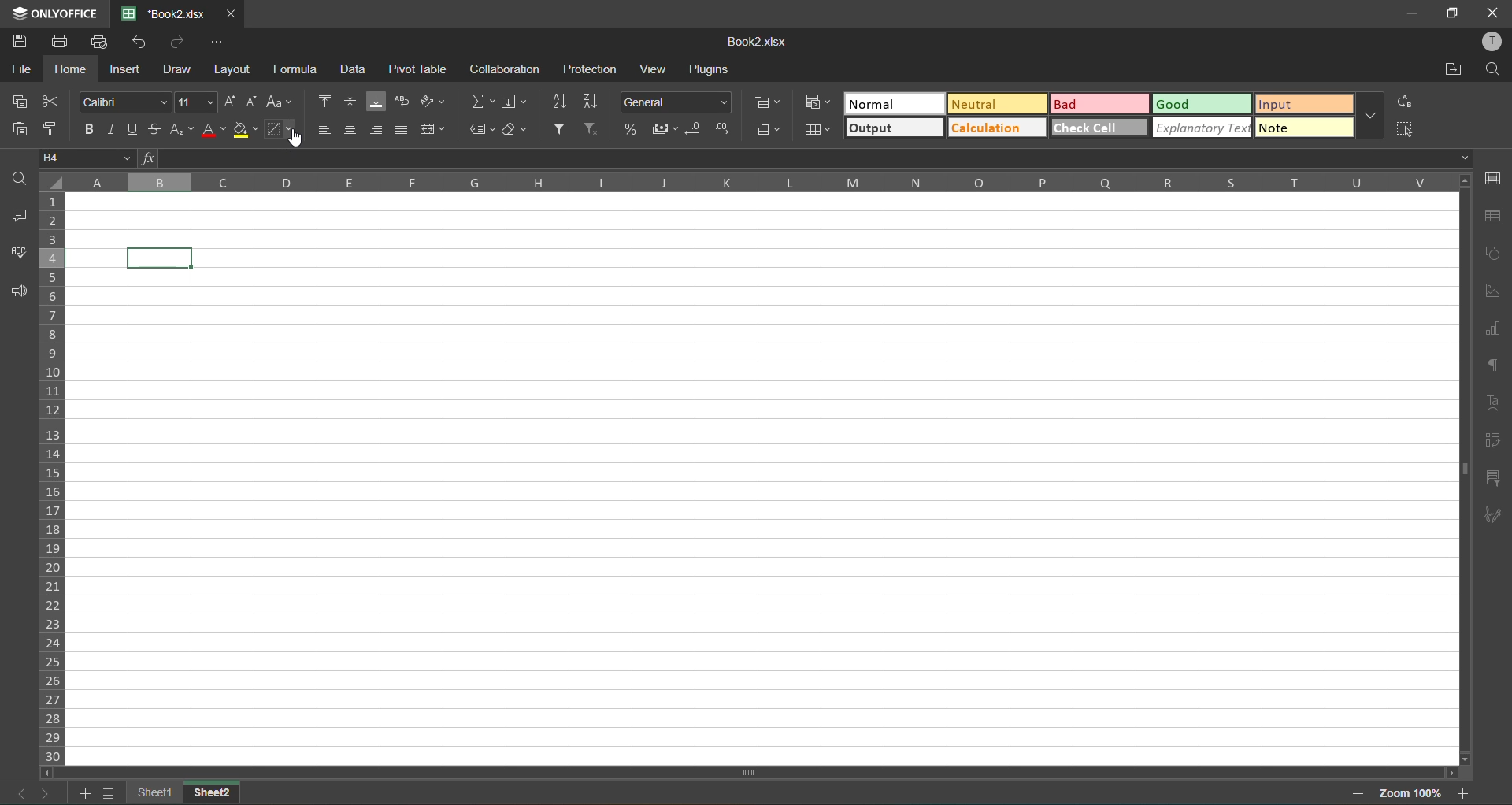  Describe the element at coordinates (57, 475) in the screenshot. I see `row numbers` at that location.